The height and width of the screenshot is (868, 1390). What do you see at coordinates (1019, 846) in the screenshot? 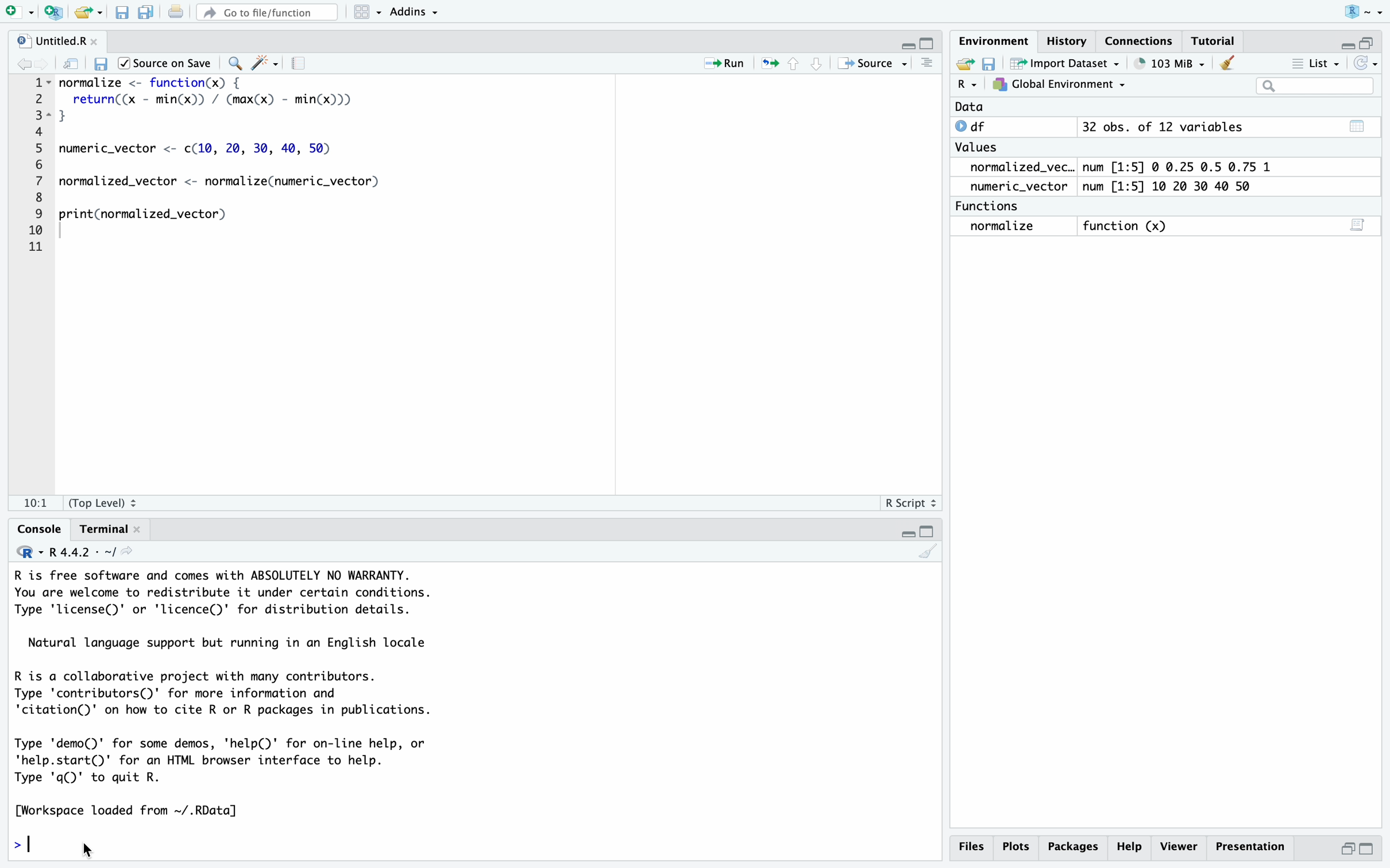
I see `Plots` at bounding box center [1019, 846].